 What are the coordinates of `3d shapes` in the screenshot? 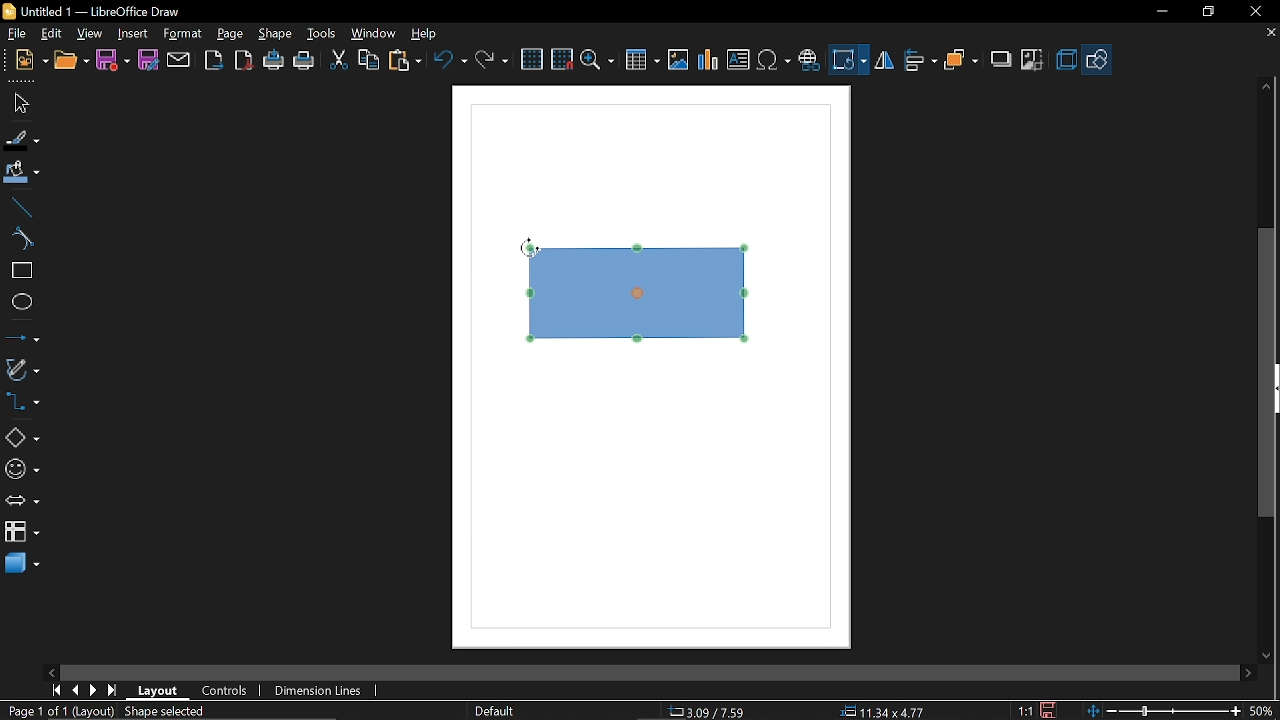 It's located at (22, 564).